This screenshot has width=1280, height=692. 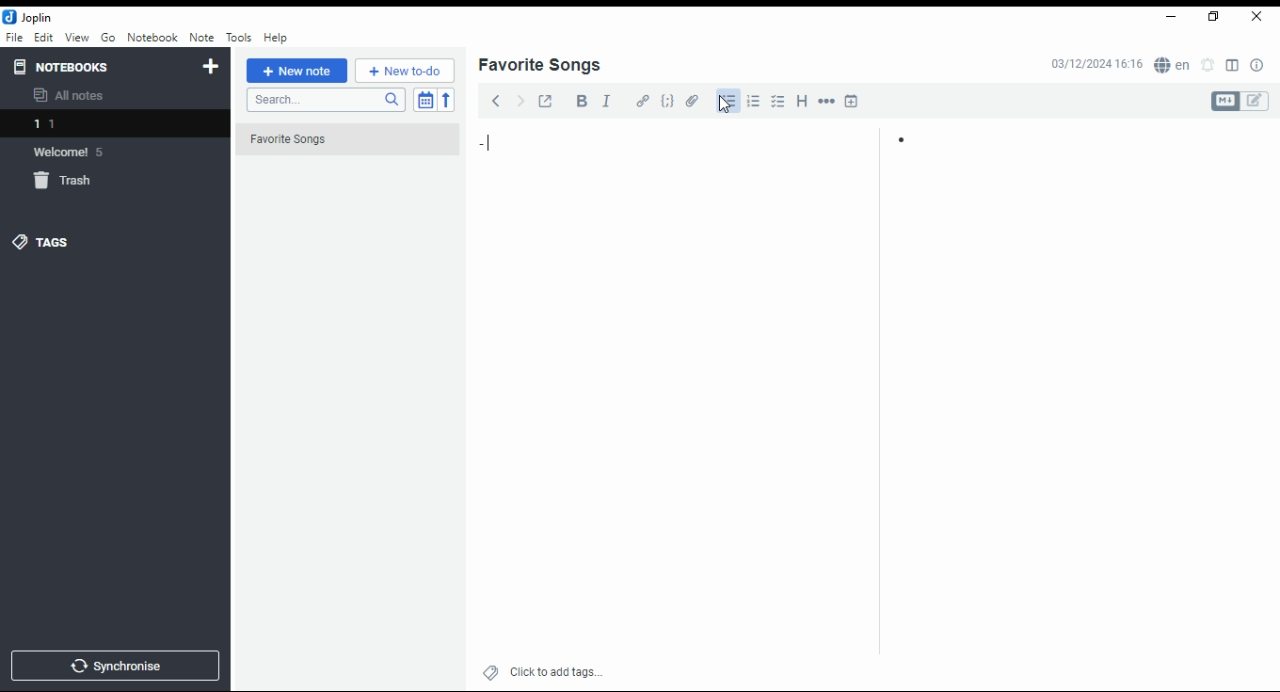 What do you see at coordinates (74, 184) in the screenshot?
I see `trash` at bounding box center [74, 184].